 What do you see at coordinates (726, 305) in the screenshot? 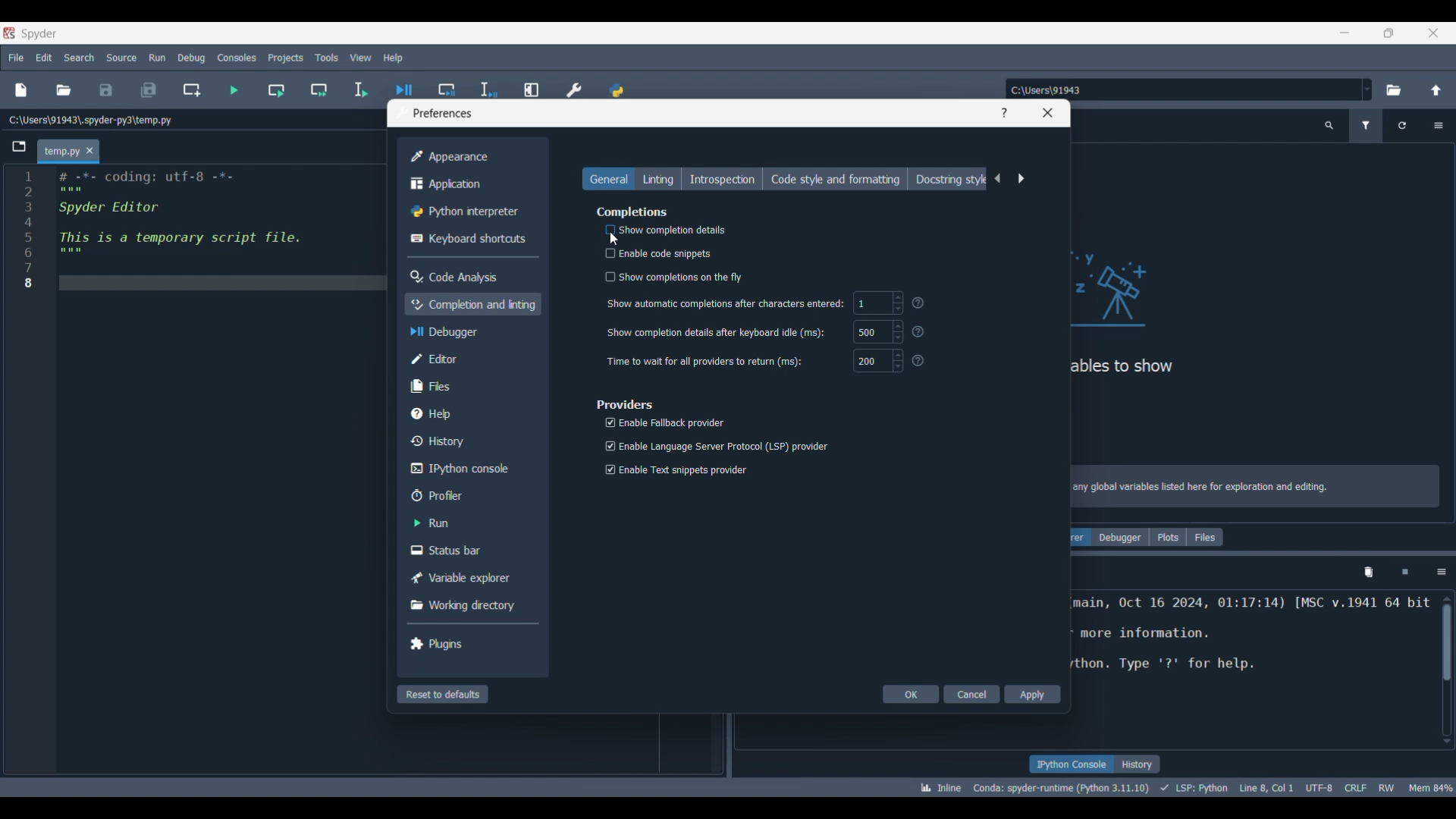
I see `‘Show automatic completions after characters entered` at bounding box center [726, 305].